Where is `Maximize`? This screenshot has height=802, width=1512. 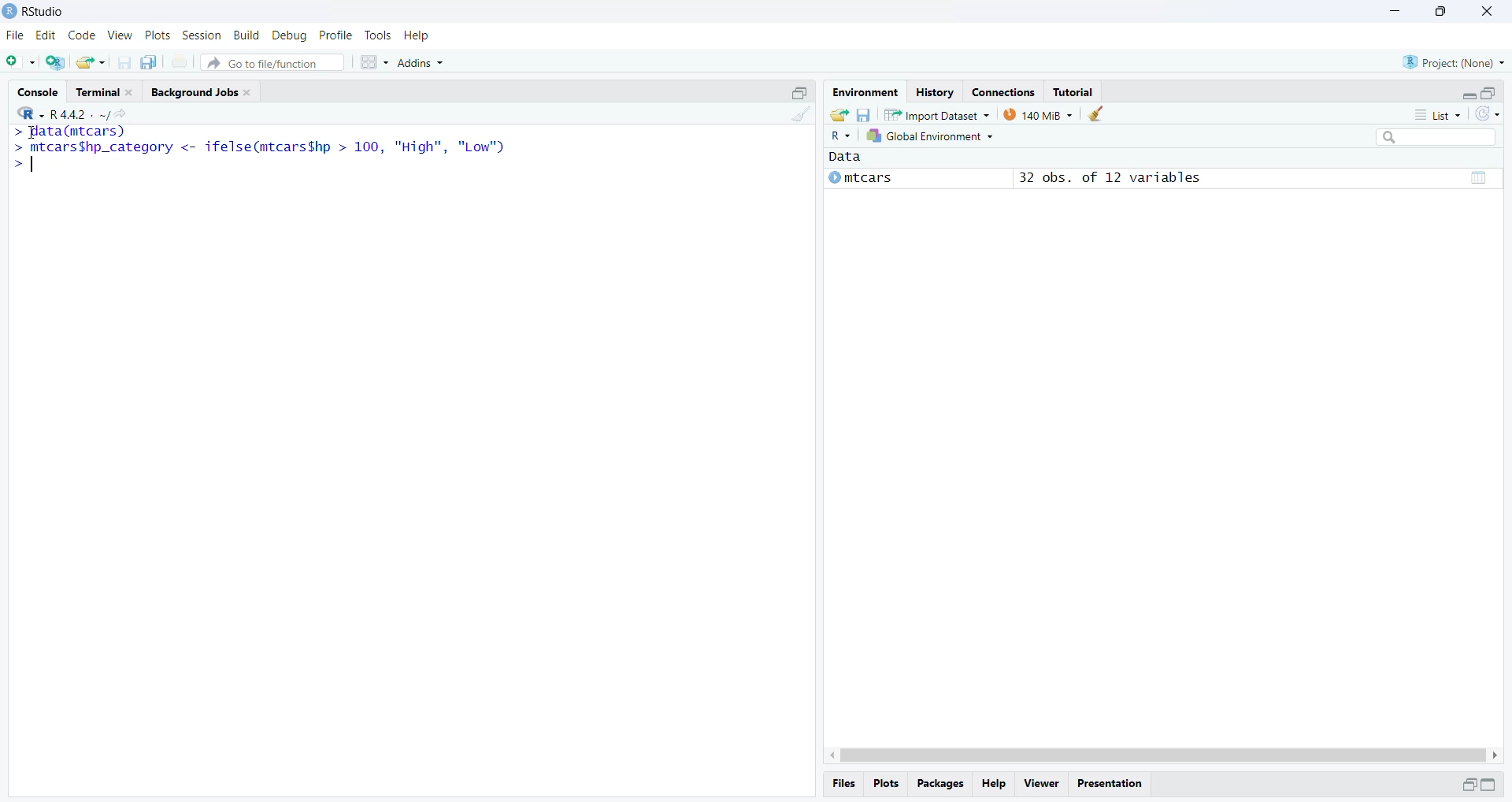 Maximize is located at coordinates (1493, 785).